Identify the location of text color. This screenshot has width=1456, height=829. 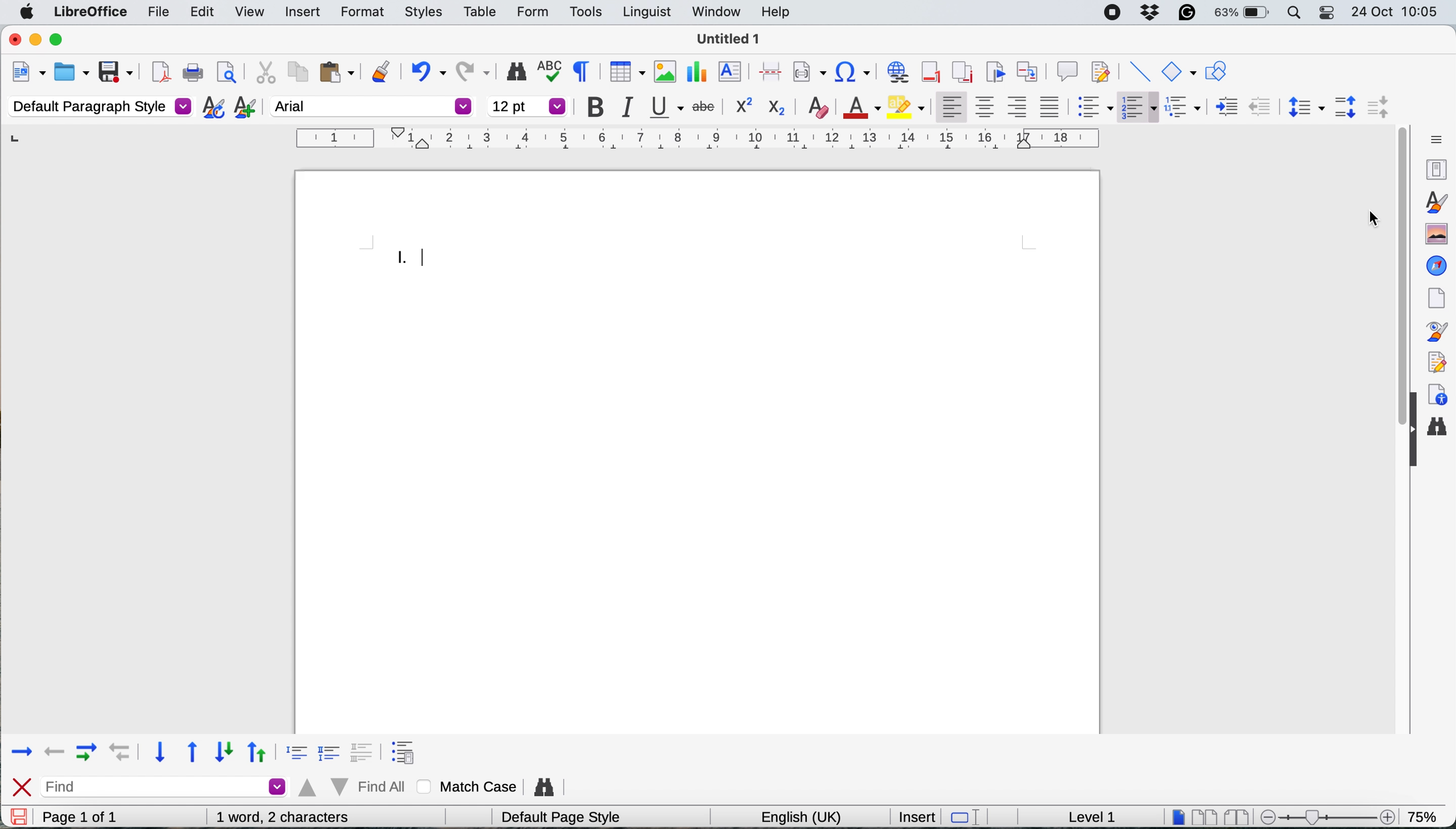
(859, 106).